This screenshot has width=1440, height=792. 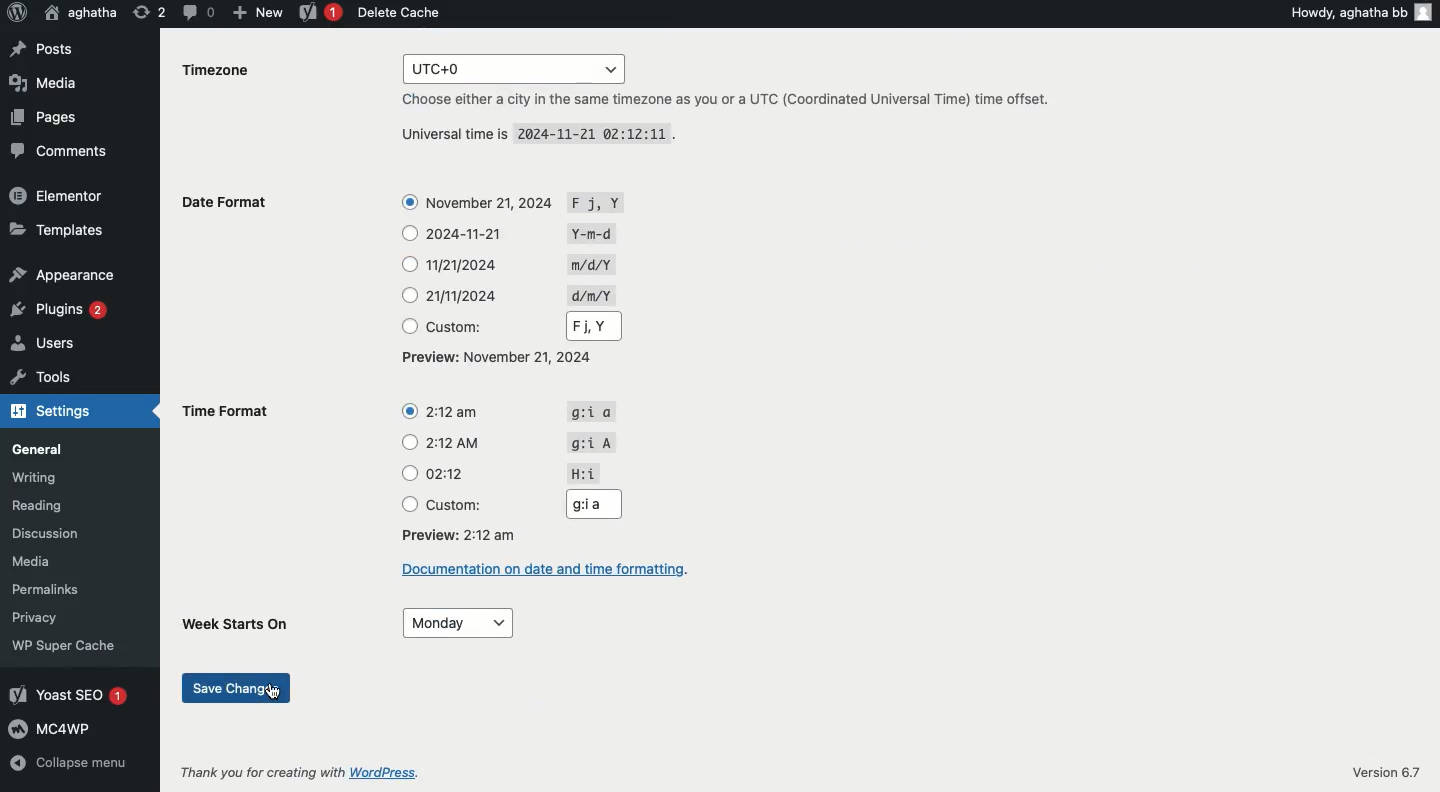 I want to click on Privacy, so click(x=46, y=616).